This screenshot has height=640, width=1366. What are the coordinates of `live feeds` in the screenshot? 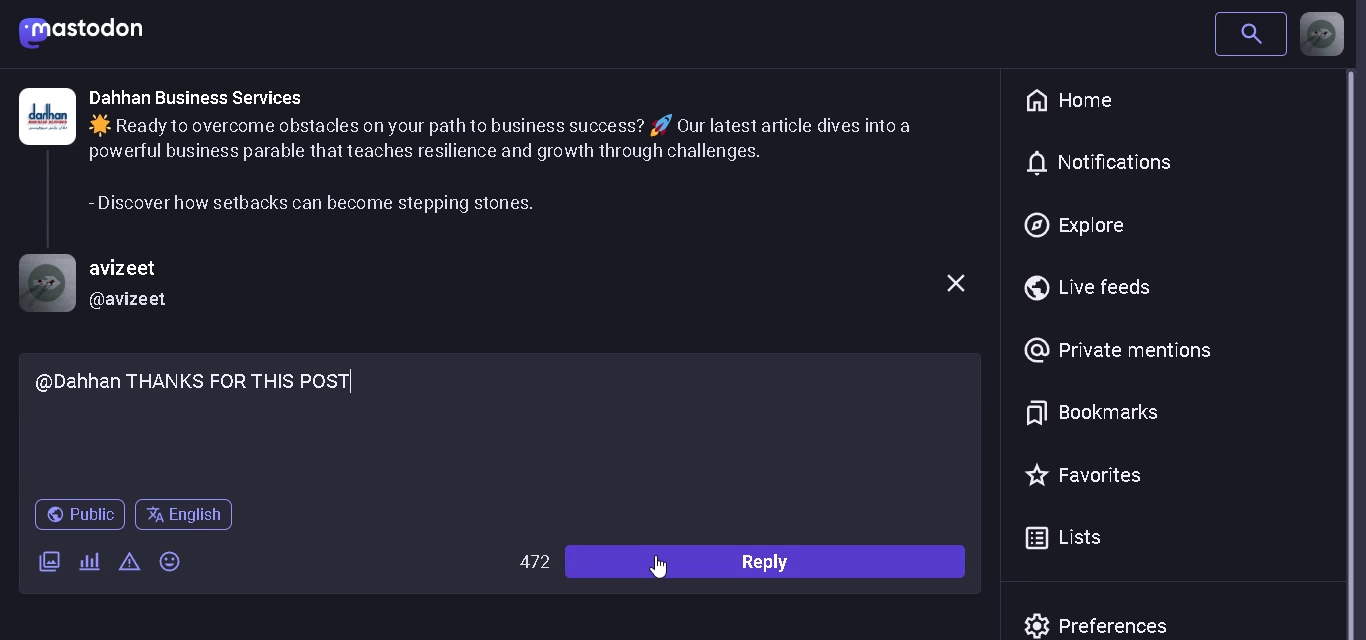 It's located at (1098, 288).